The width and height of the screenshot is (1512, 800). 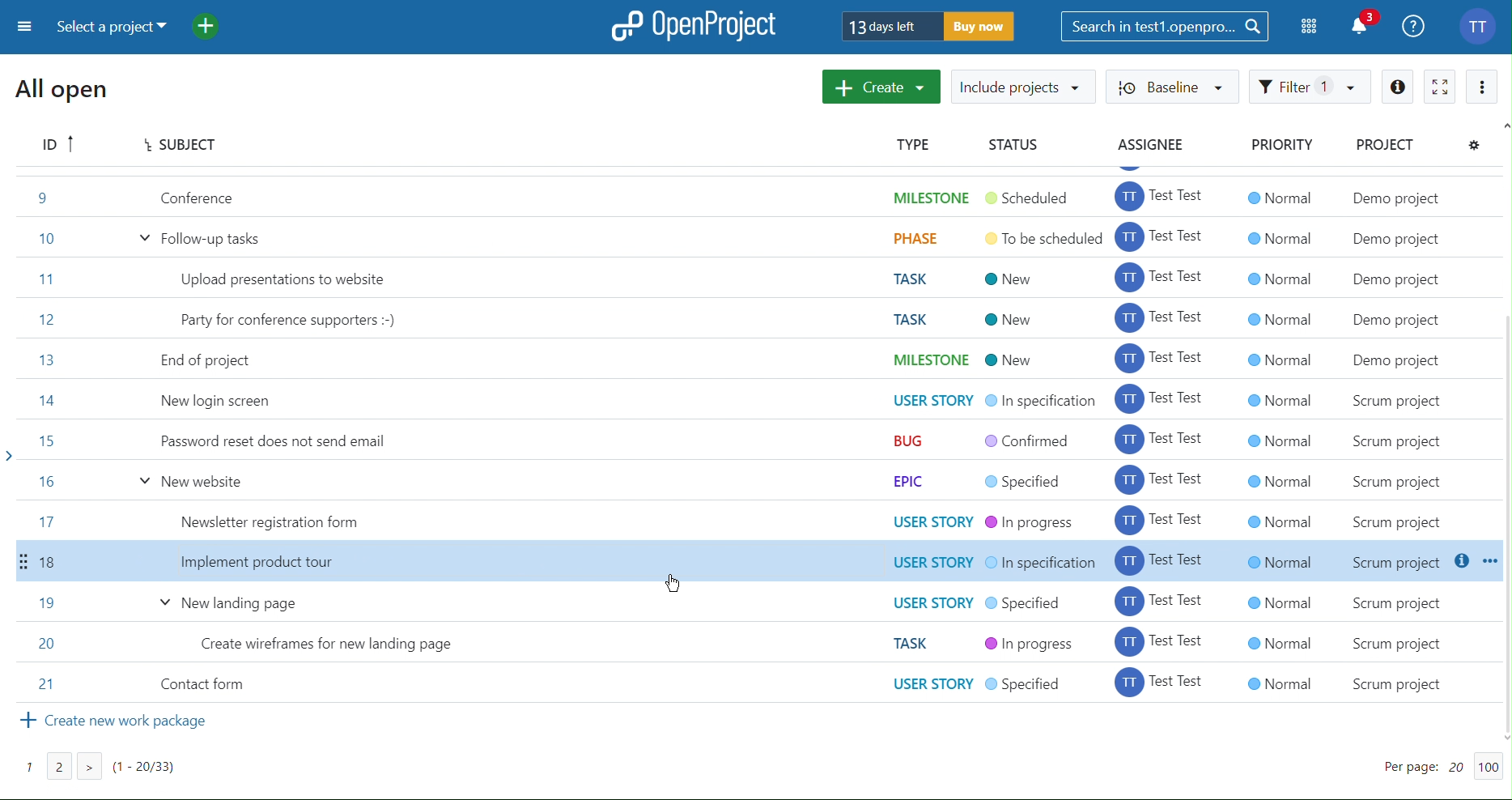 What do you see at coordinates (1415, 24) in the screenshot?
I see `Help` at bounding box center [1415, 24].